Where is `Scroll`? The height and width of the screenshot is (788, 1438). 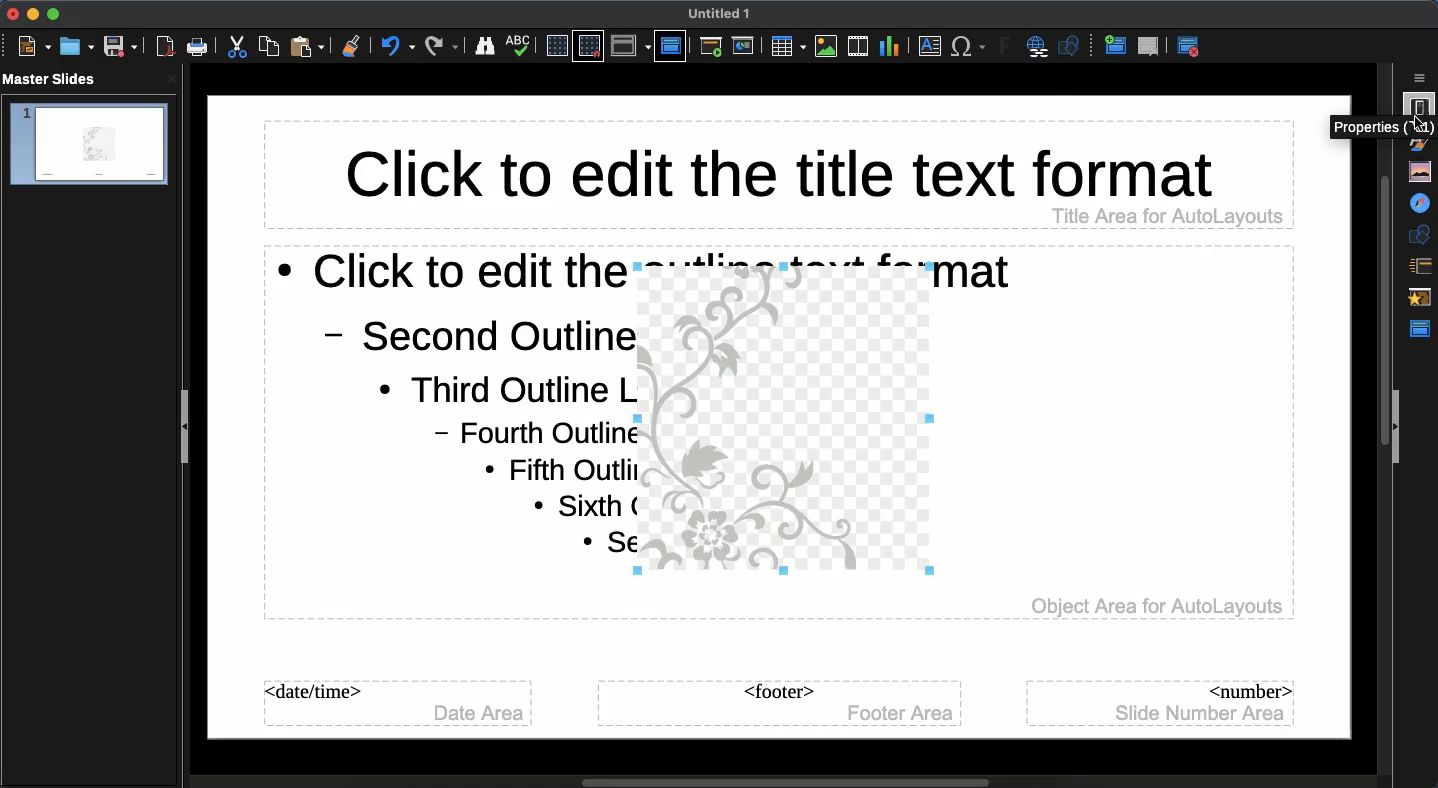
Scroll is located at coordinates (1379, 459).